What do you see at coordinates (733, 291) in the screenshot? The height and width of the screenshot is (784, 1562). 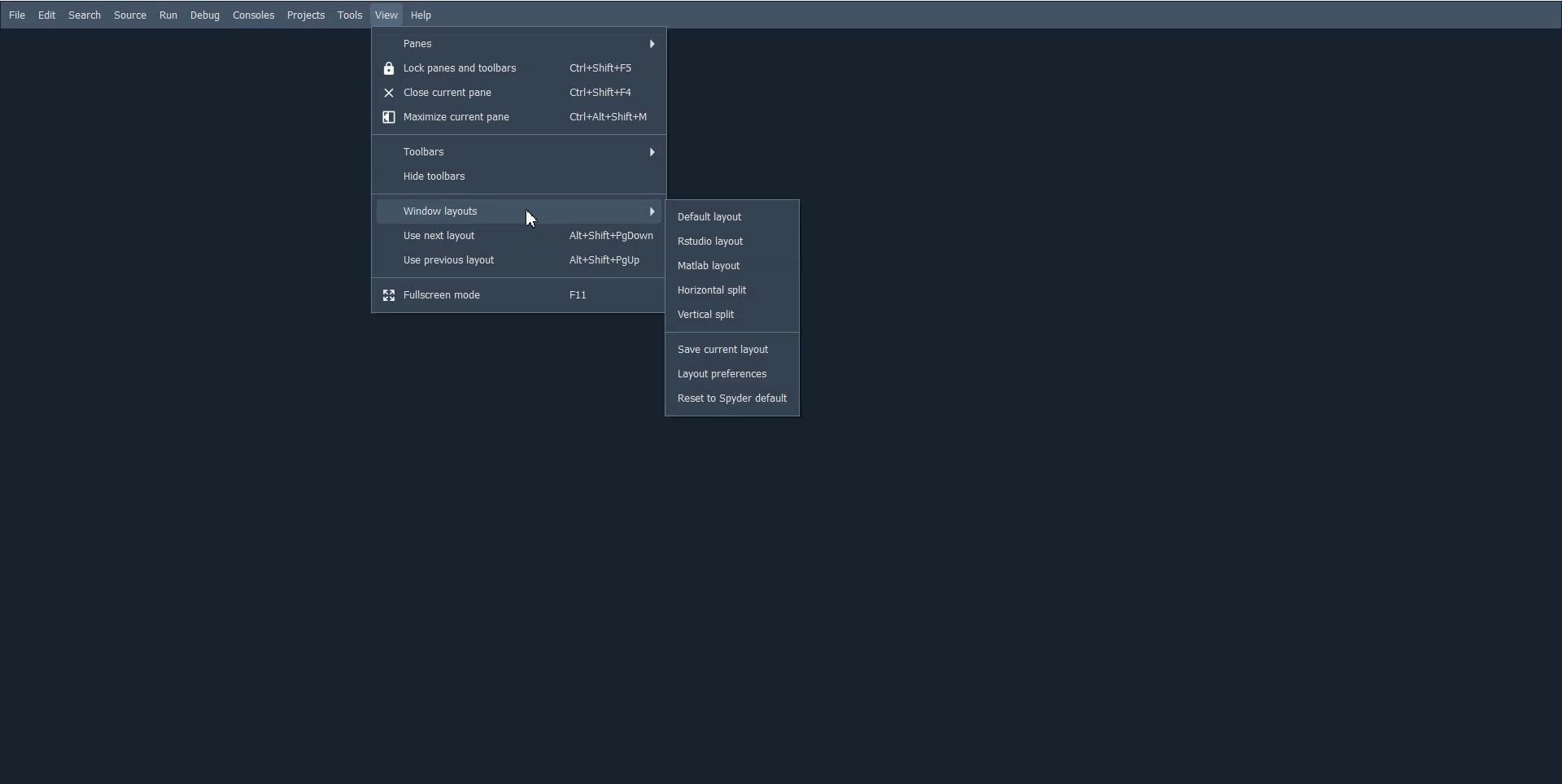 I see `Horizontal split` at bounding box center [733, 291].